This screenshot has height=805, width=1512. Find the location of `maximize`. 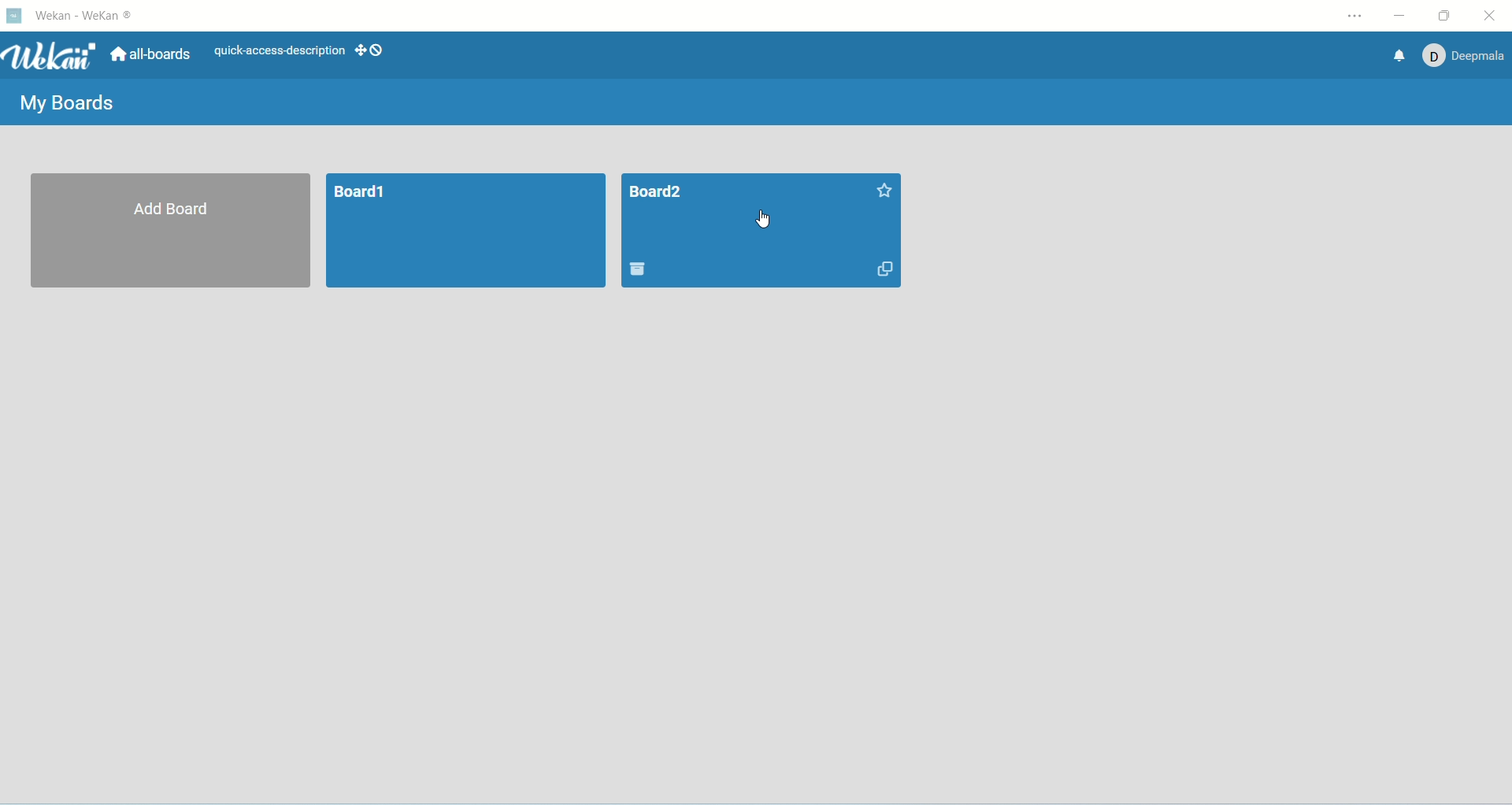

maximize is located at coordinates (1447, 14).